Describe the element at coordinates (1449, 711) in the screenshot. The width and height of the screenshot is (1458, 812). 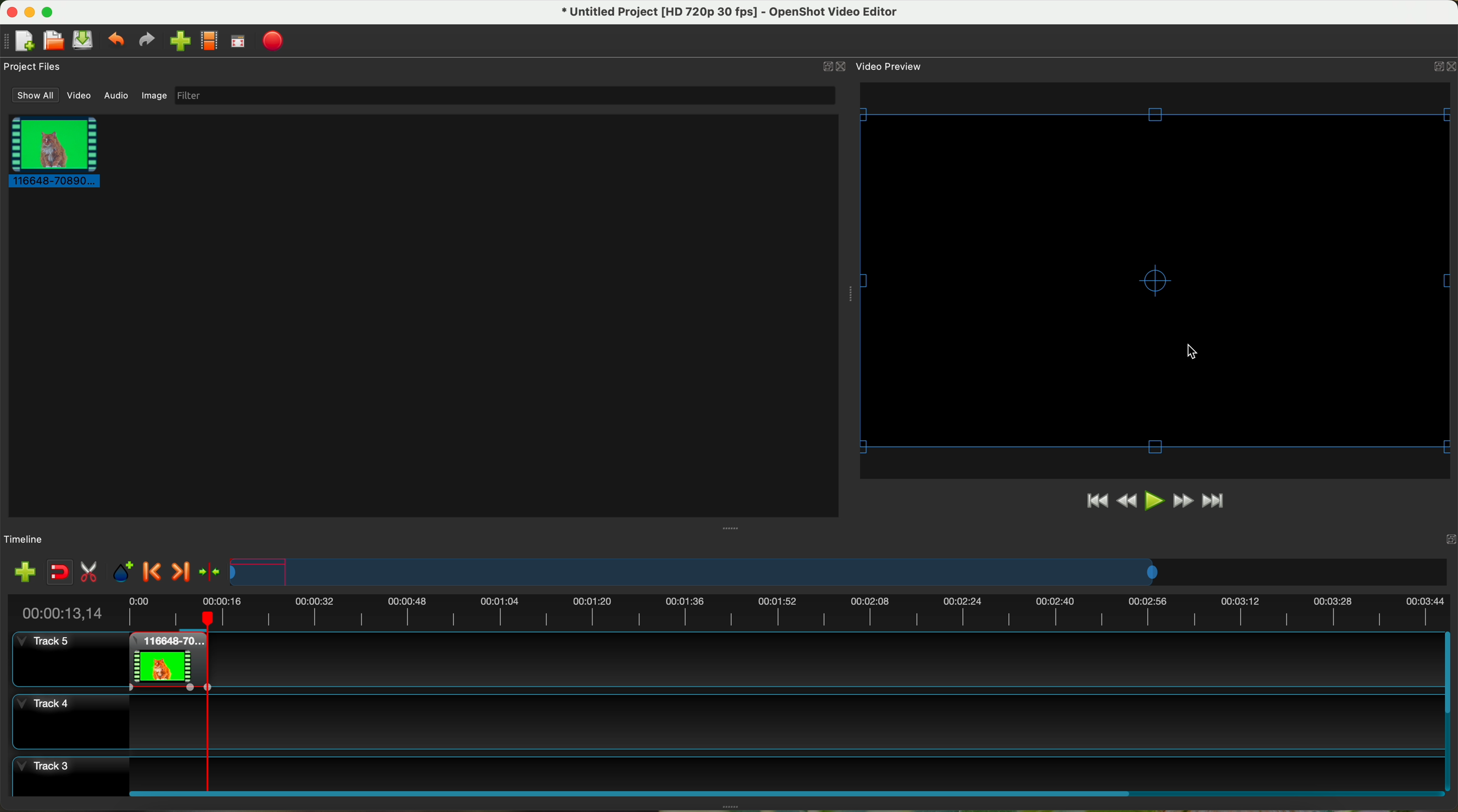
I see `scroll bar` at that location.